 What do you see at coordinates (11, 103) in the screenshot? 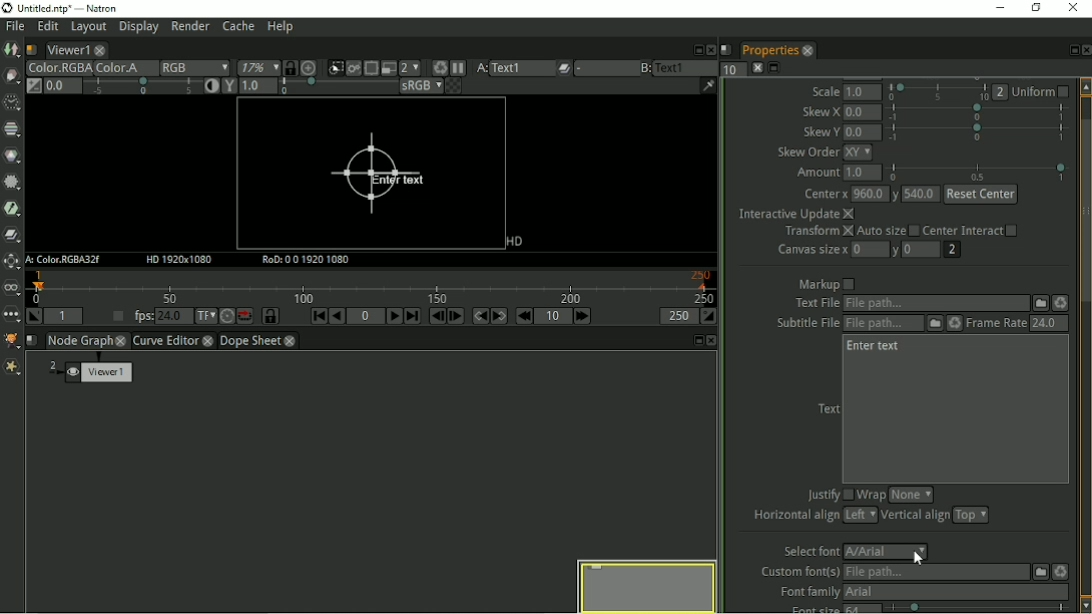
I see `Time` at bounding box center [11, 103].